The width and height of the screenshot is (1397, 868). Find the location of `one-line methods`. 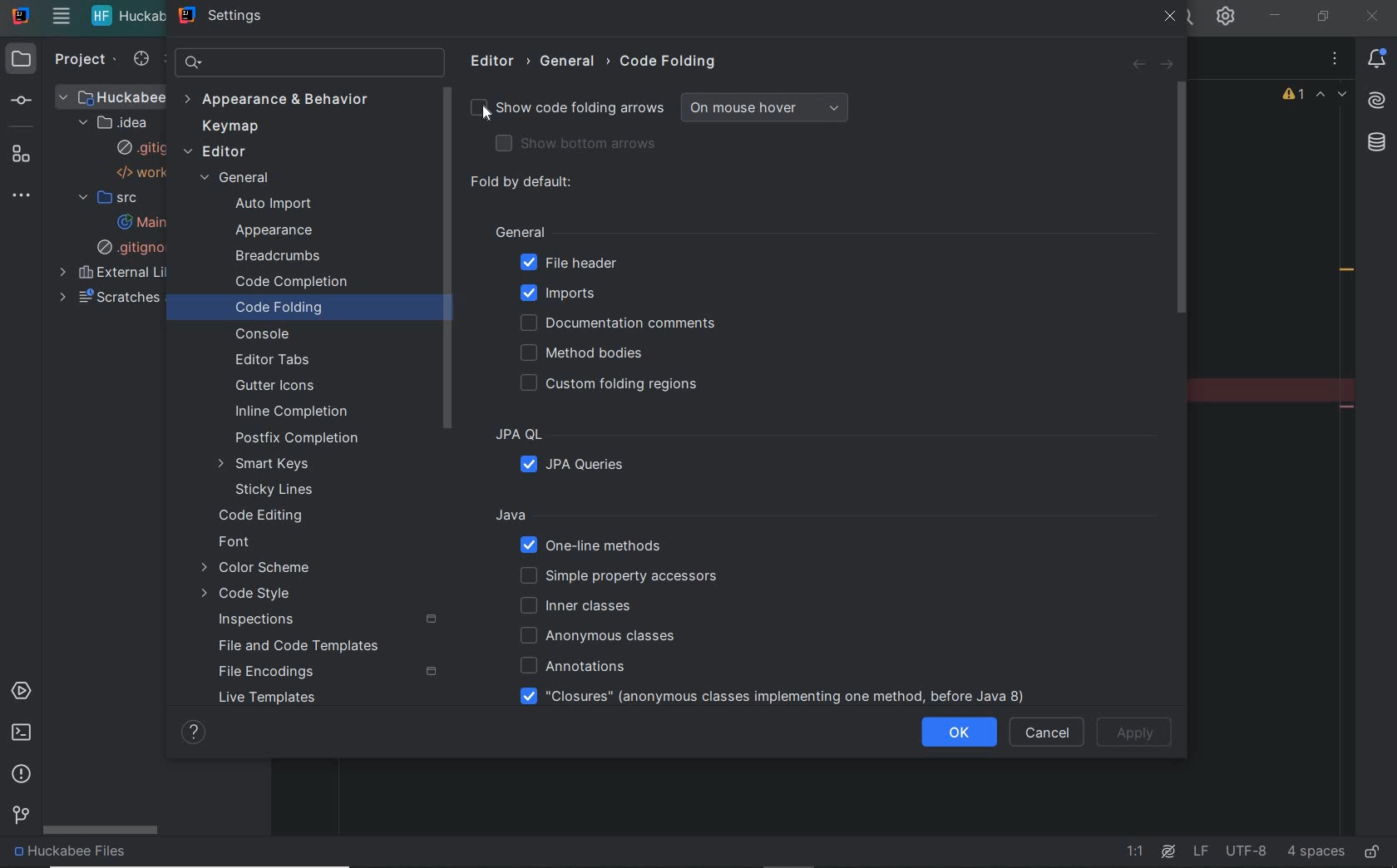

one-line methods is located at coordinates (595, 546).